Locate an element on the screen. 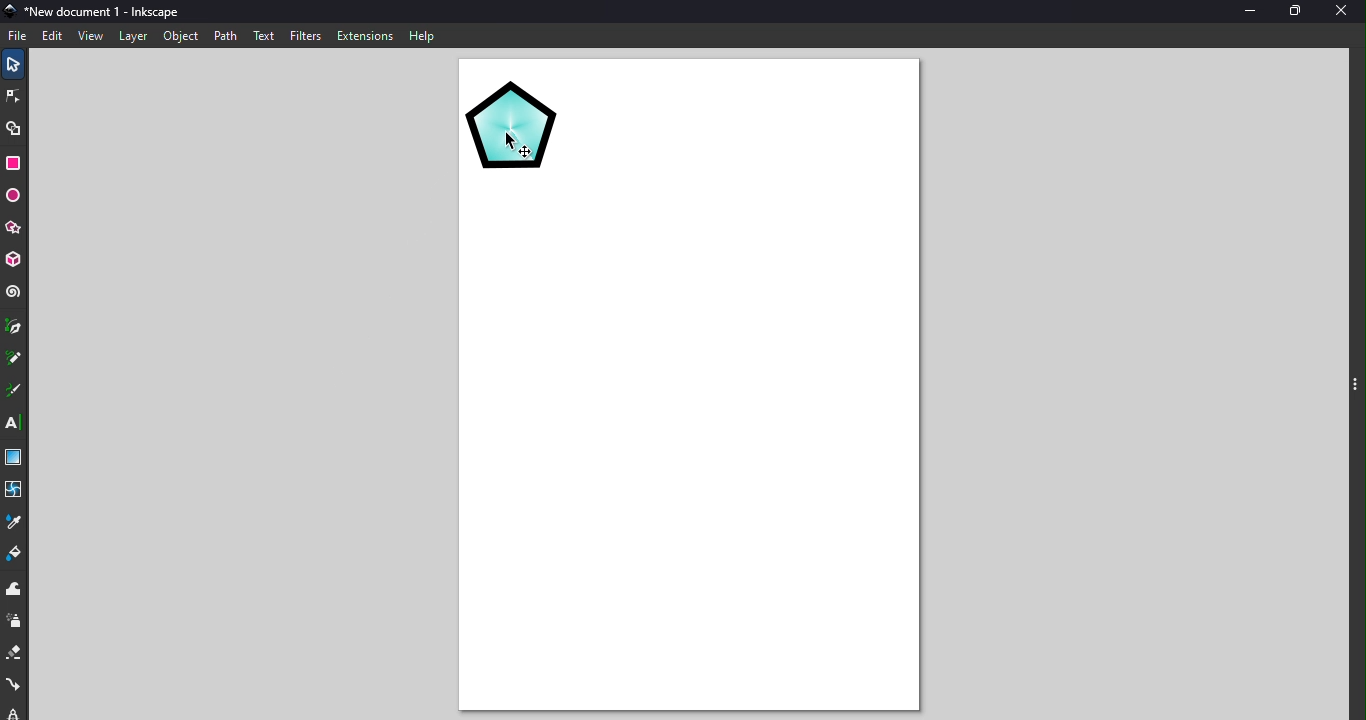 Image resolution: width=1366 pixels, height=720 pixels. View is located at coordinates (88, 36).